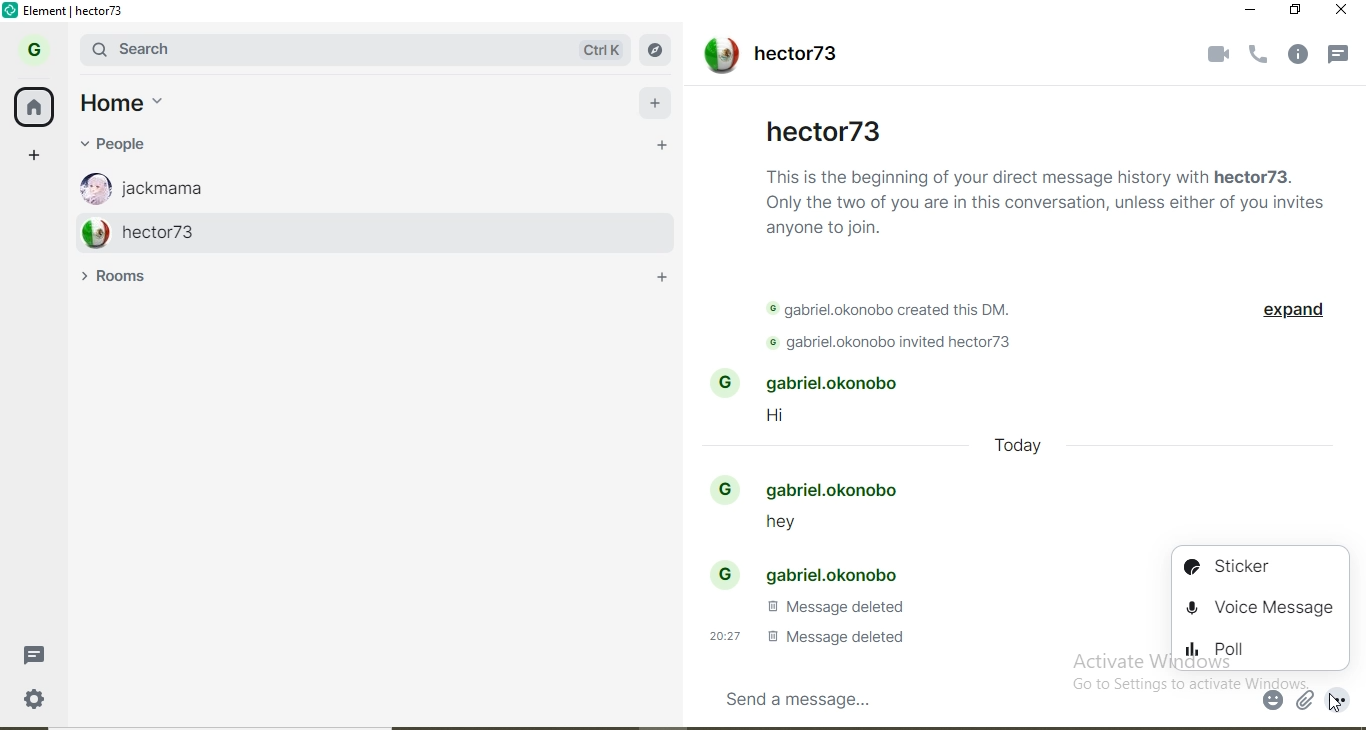 This screenshot has height=730, width=1366. Describe the element at coordinates (772, 527) in the screenshot. I see `hey` at that location.